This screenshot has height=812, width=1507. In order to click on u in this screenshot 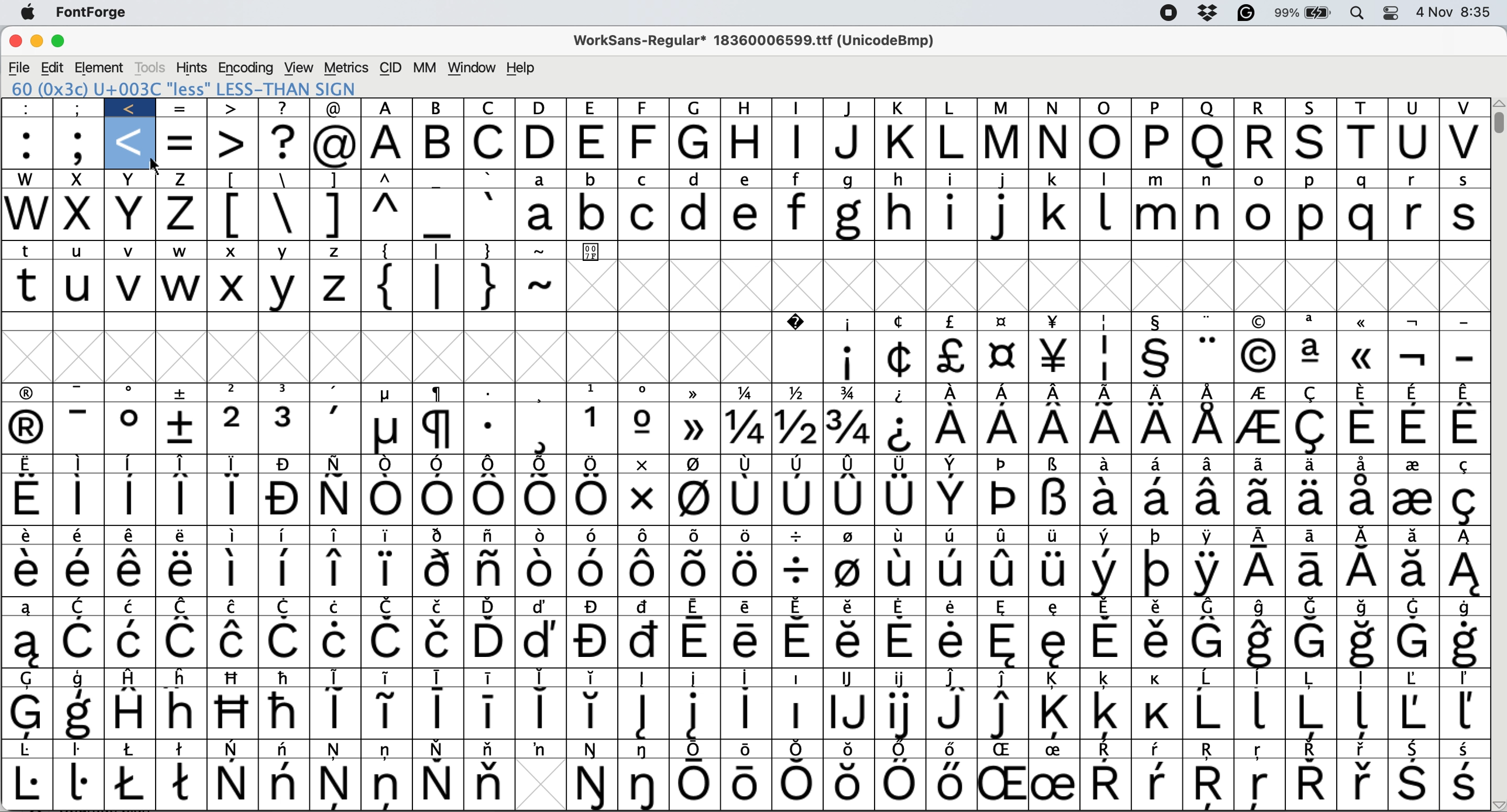, I will do `click(1416, 108)`.